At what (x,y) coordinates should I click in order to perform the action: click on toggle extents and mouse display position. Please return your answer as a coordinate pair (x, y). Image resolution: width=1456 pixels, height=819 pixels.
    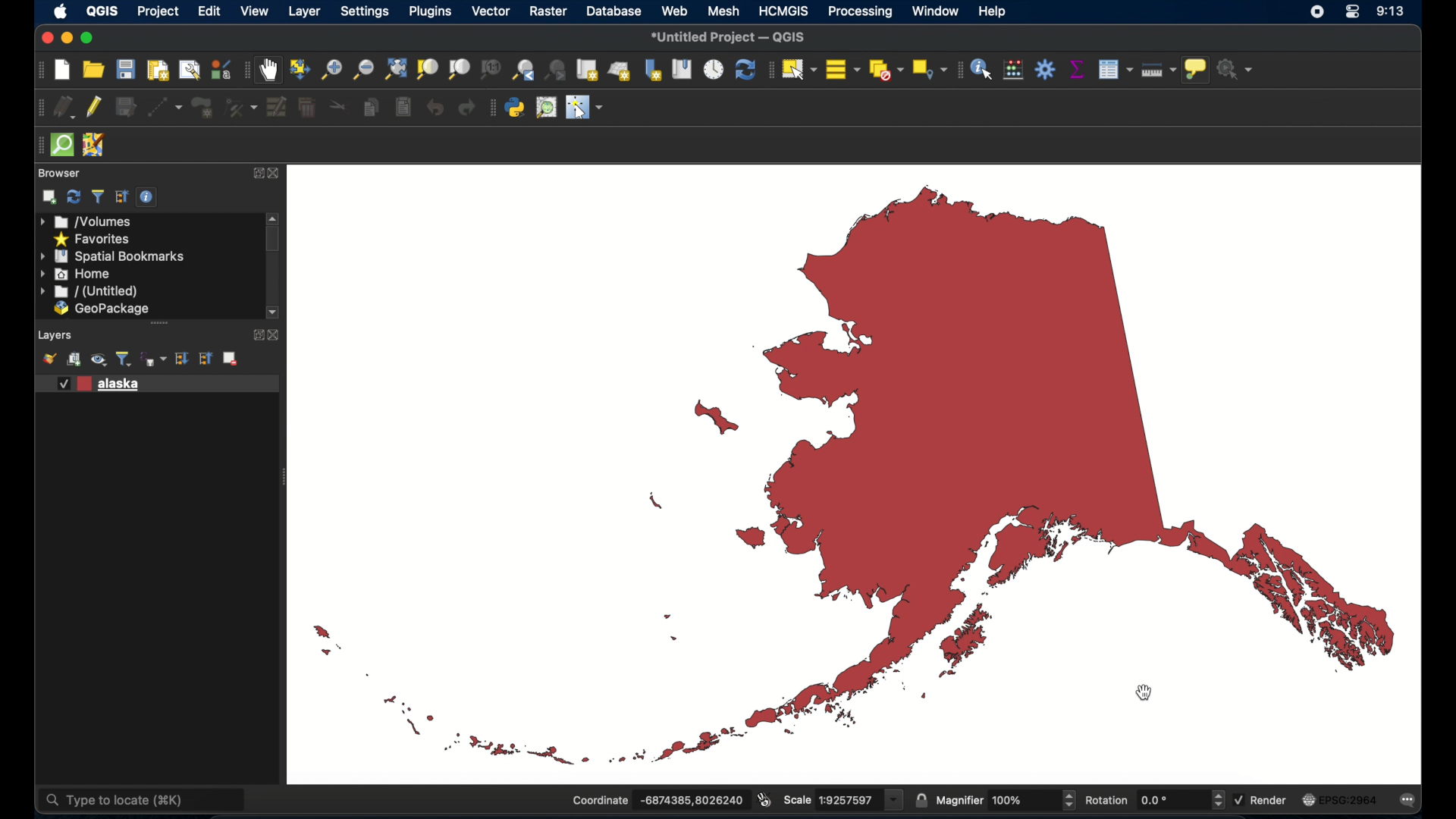
    Looking at the image, I should click on (764, 799).